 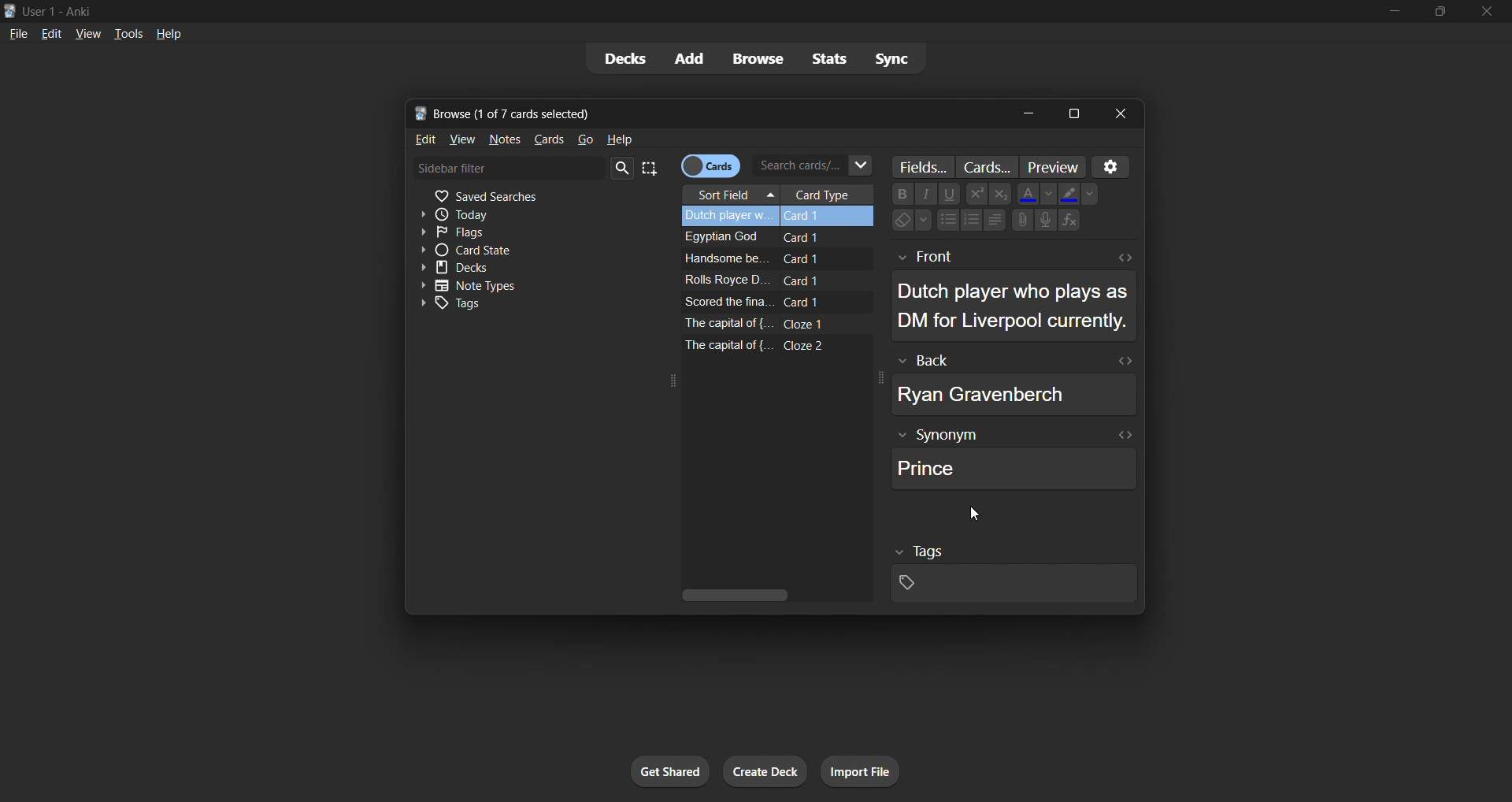 I want to click on card type column, so click(x=831, y=195).